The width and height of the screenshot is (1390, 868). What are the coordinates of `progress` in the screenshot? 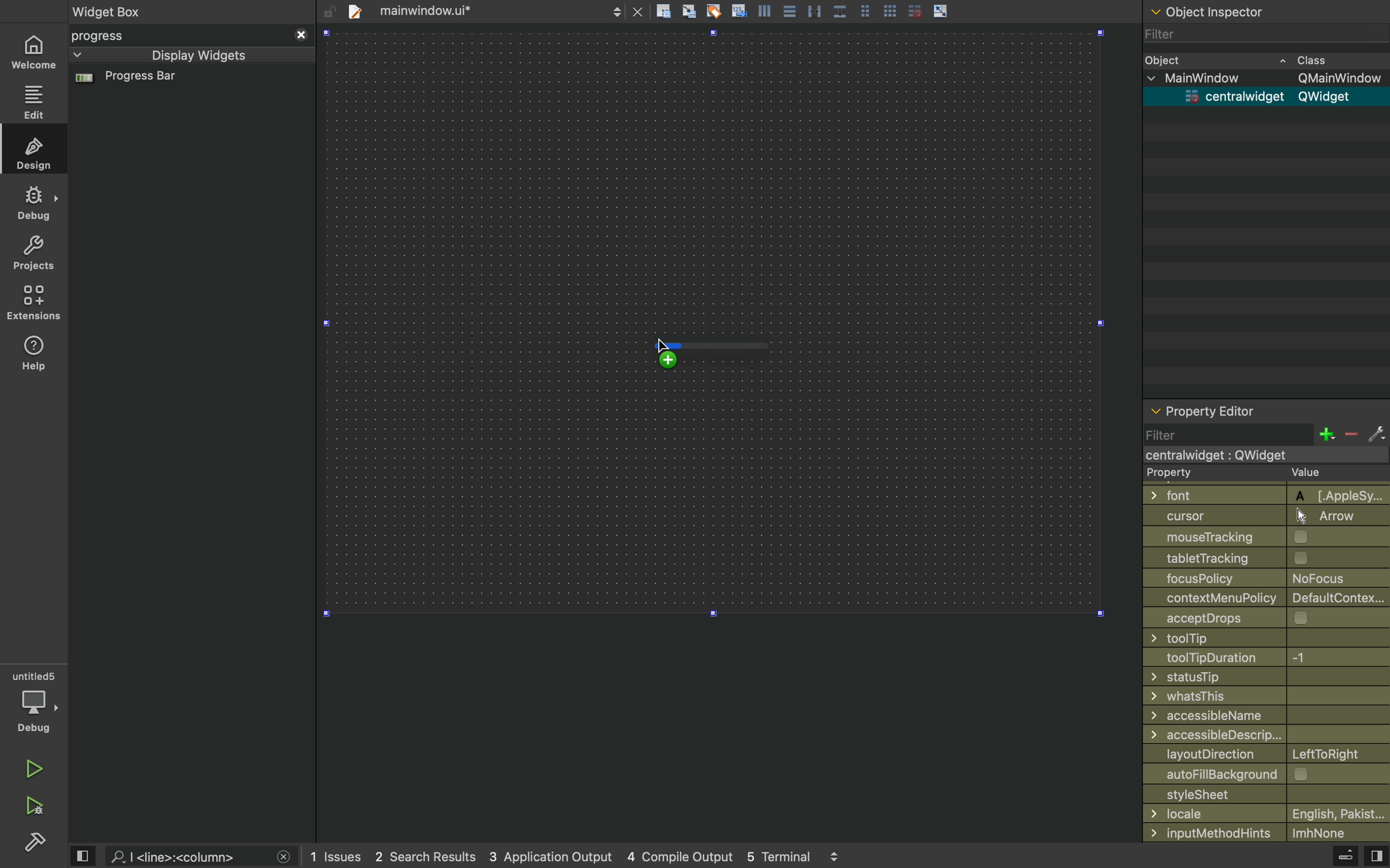 It's located at (191, 36).